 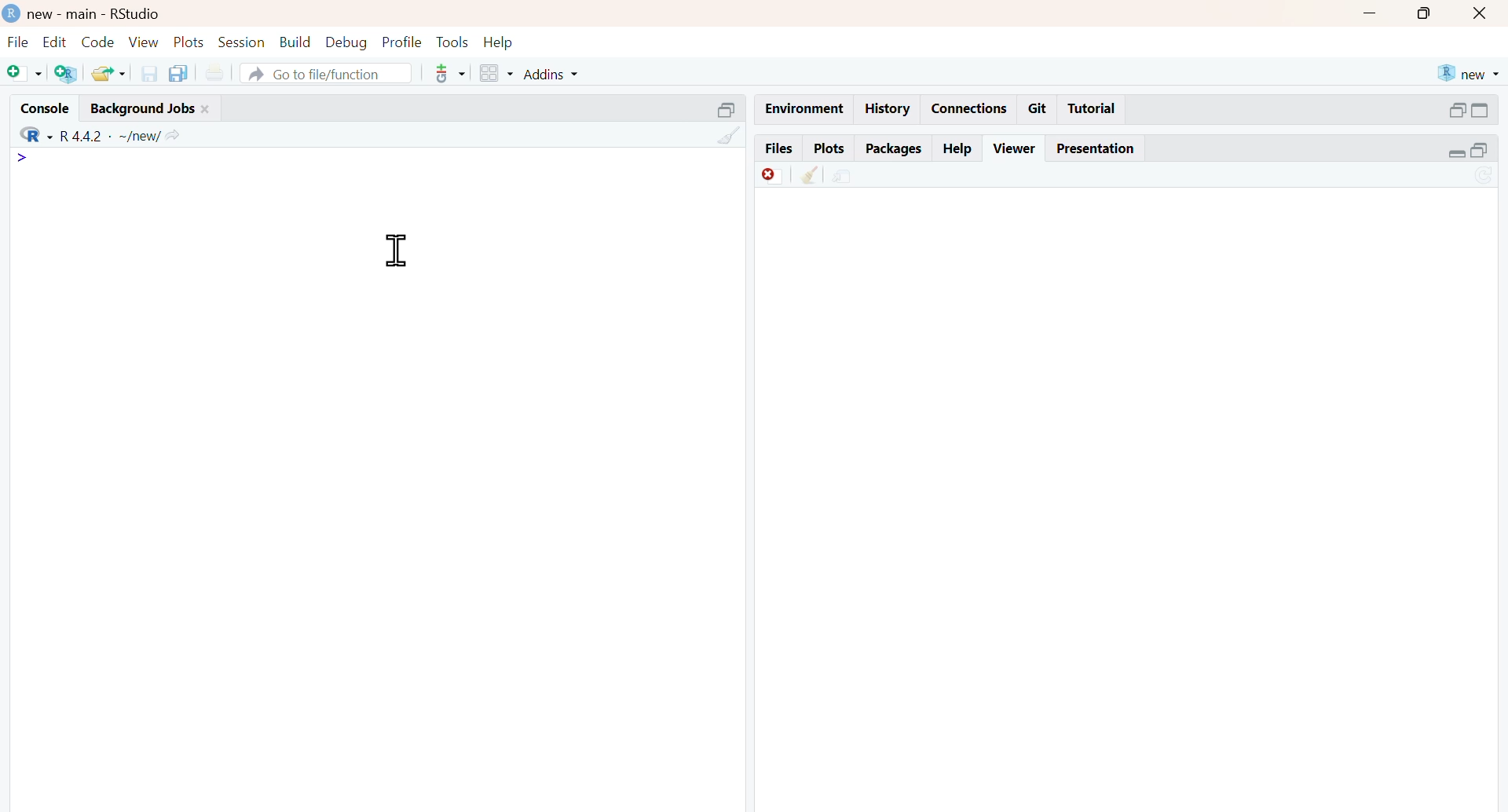 I want to click on Sync, so click(x=1484, y=177).